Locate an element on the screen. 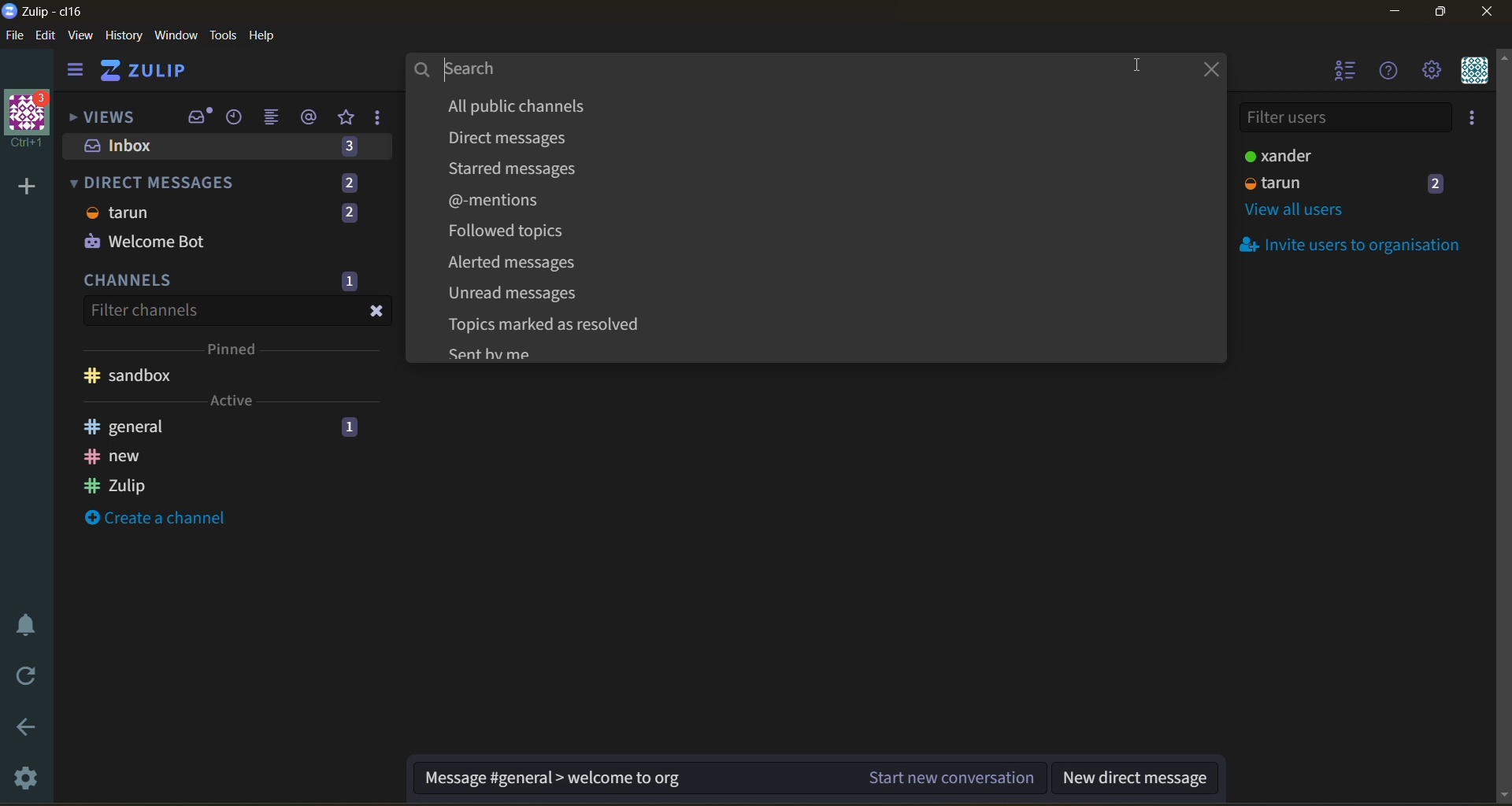  close is located at coordinates (376, 312).